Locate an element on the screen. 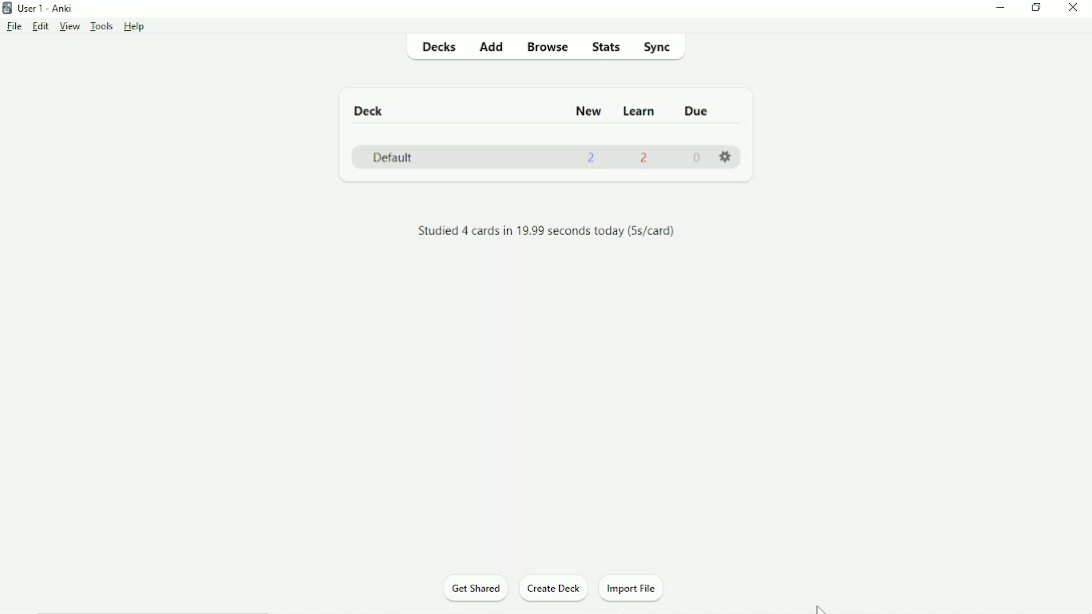 The width and height of the screenshot is (1092, 614). Create Deck is located at coordinates (555, 589).